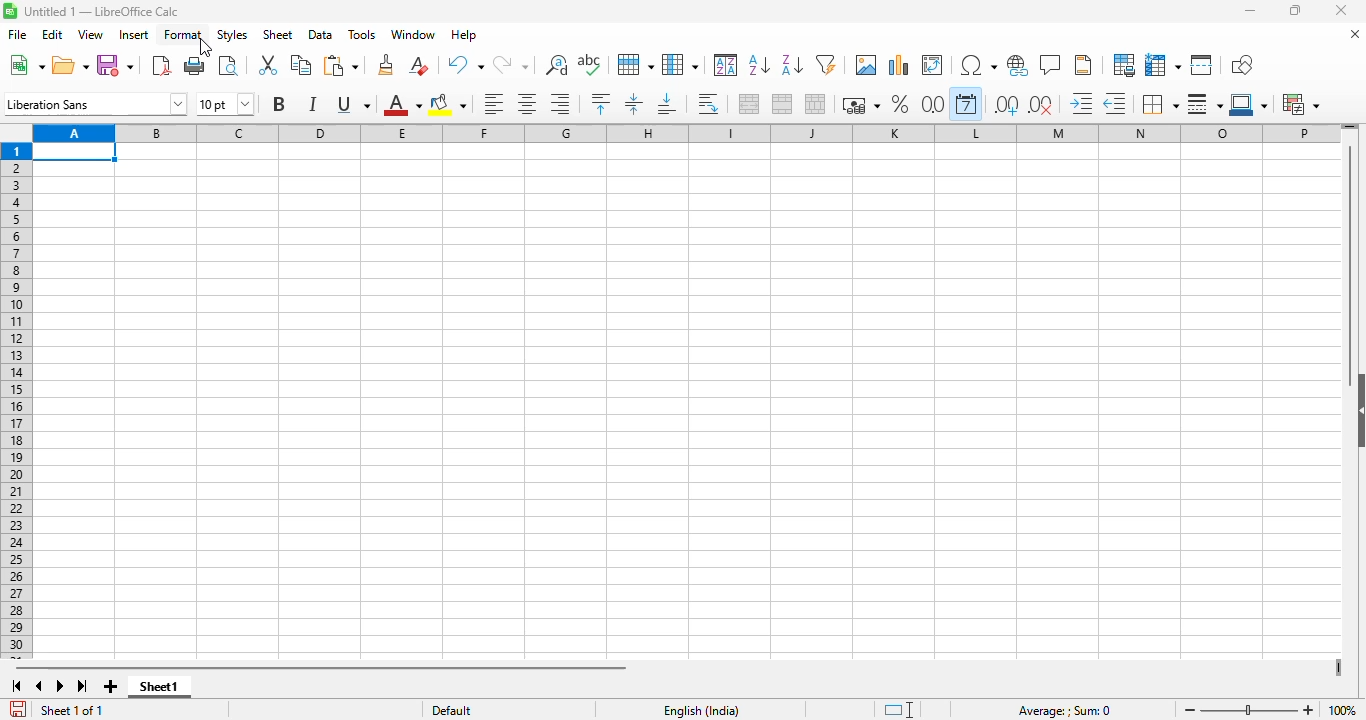 This screenshot has width=1366, height=720. What do you see at coordinates (867, 65) in the screenshot?
I see `insert image` at bounding box center [867, 65].